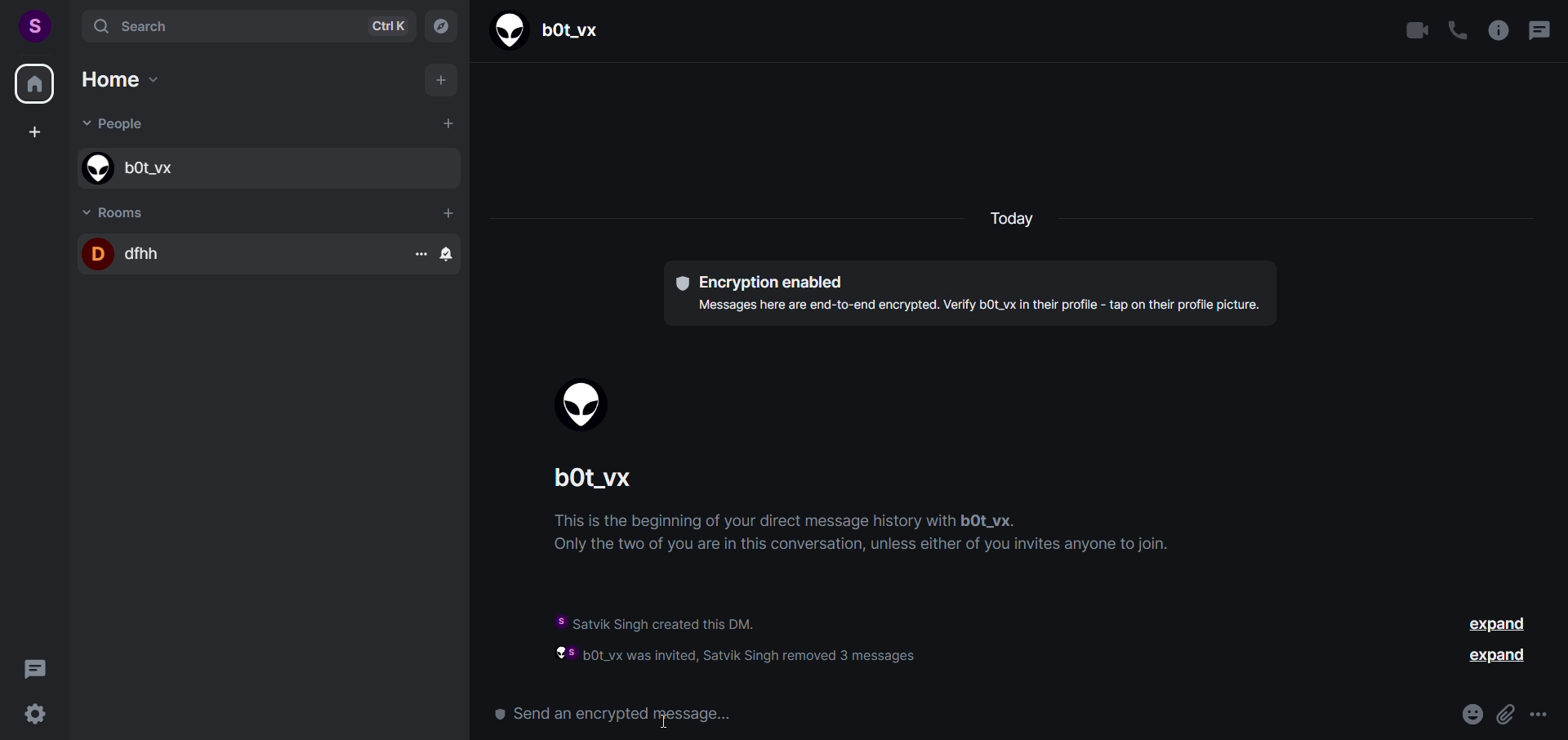 This screenshot has height=740, width=1568. Describe the element at coordinates (604, 480) in the screenshot. I see `people name` at that location.